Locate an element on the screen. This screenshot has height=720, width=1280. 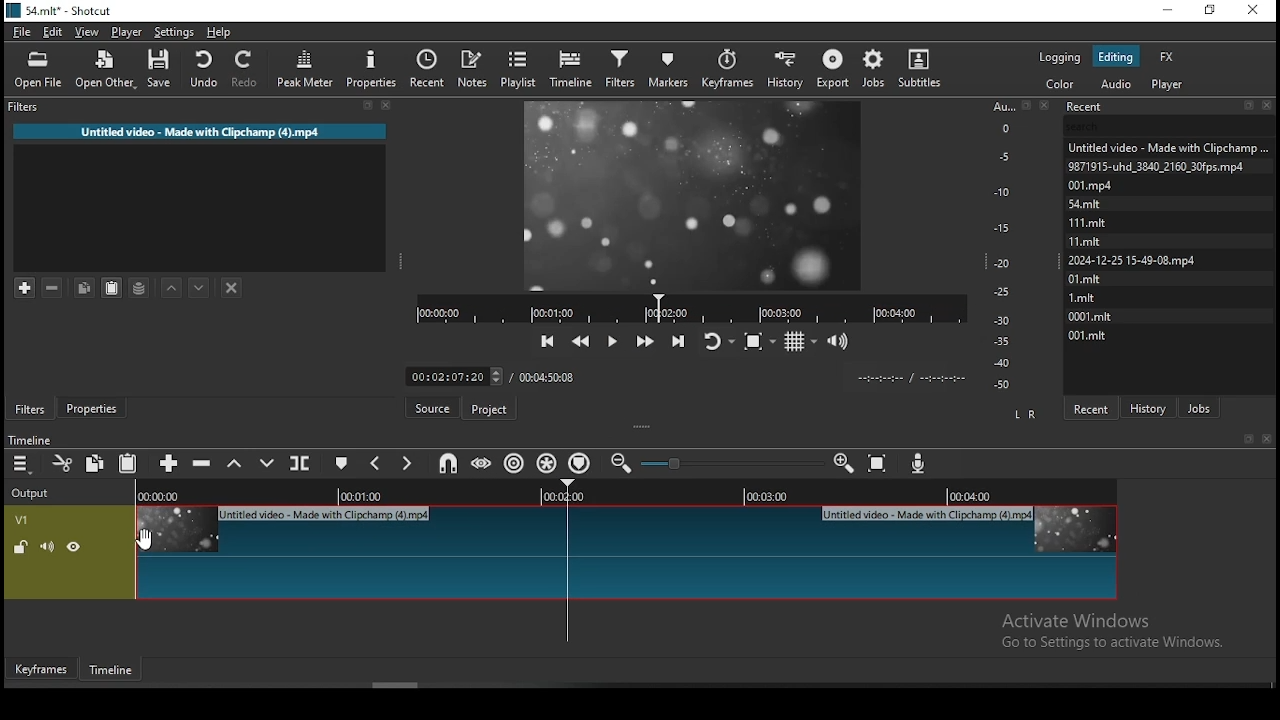
snap is located at coordinates (450, 462).